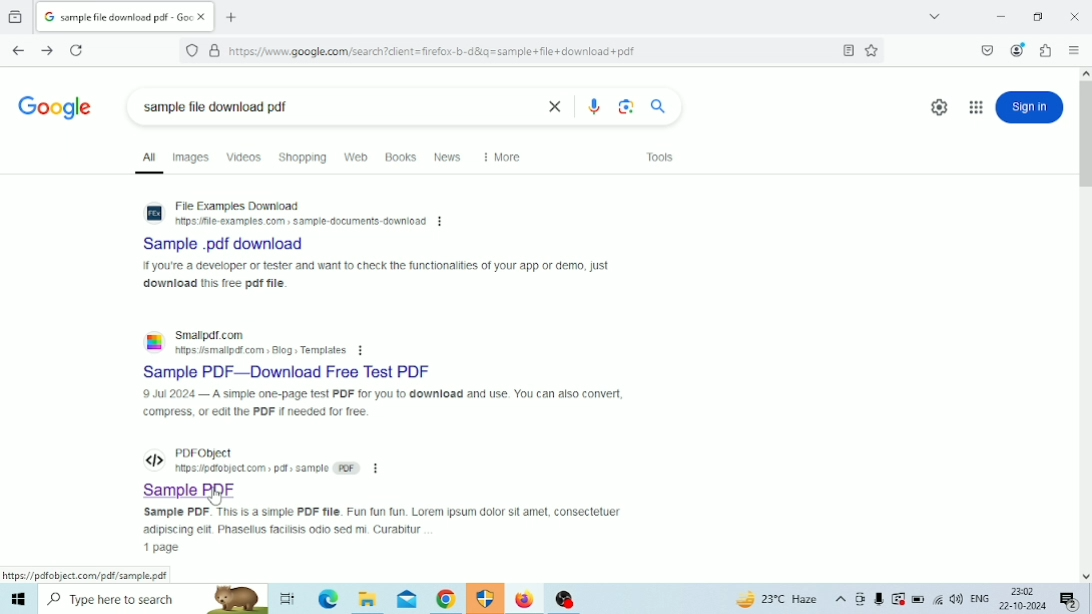 The height and width of the screenshot is (614, 1092). What do you see at coordinates (1021, 591) in the screenshot?
I see `Time` at bounding box center [1021, 591].